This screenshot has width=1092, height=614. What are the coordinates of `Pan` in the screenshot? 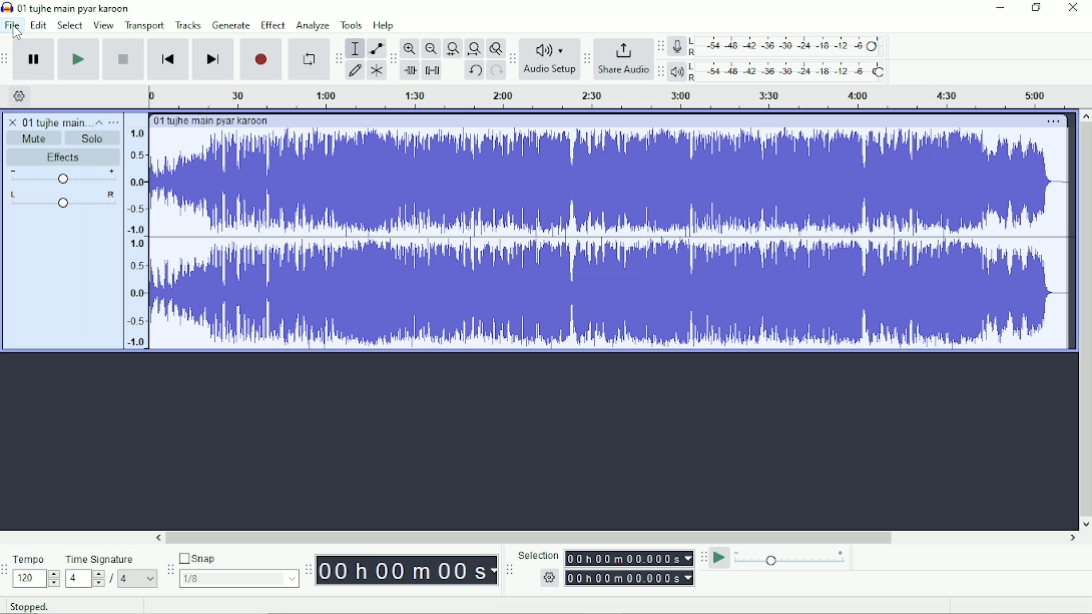 It's located at (61, 202).